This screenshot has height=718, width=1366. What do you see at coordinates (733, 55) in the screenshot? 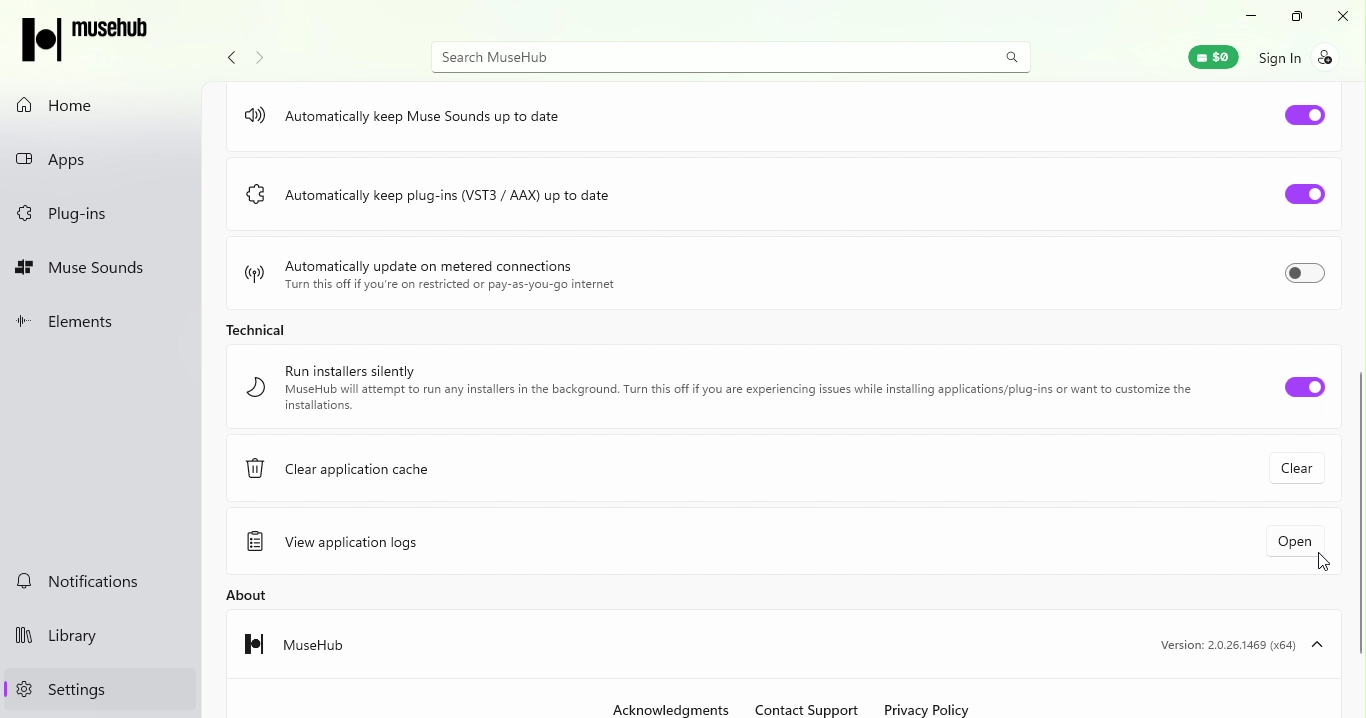
I see `Search bar` at bounding box center [733, 55].